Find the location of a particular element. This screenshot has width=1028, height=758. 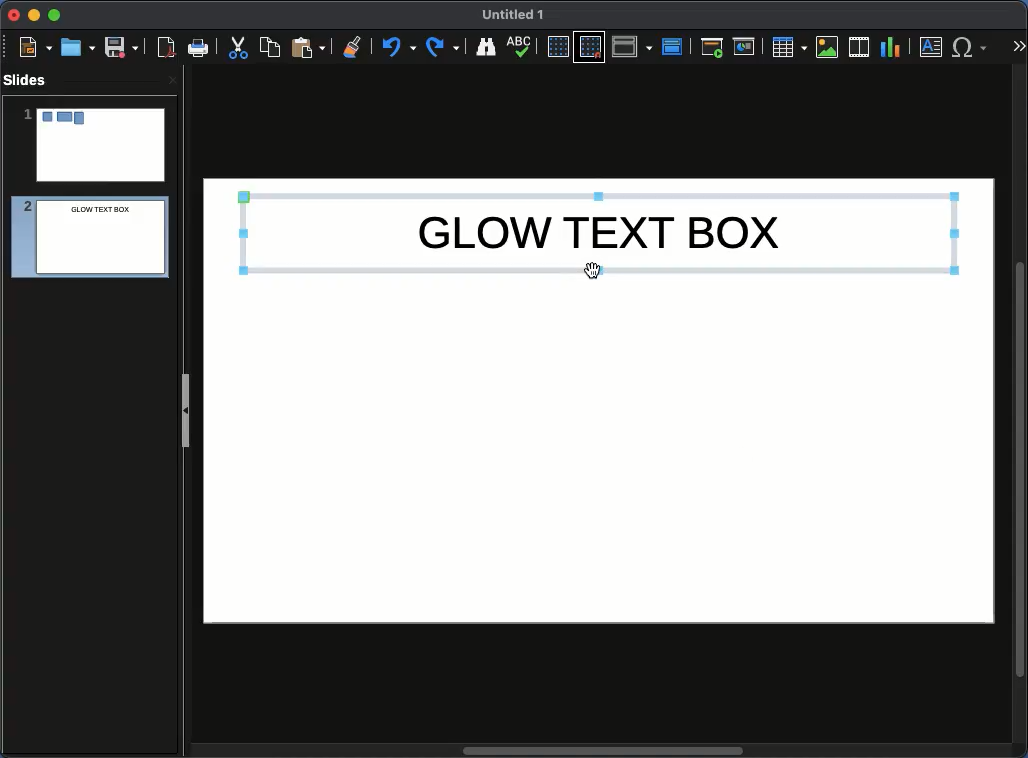

Close is located at coordinates (172, 79).